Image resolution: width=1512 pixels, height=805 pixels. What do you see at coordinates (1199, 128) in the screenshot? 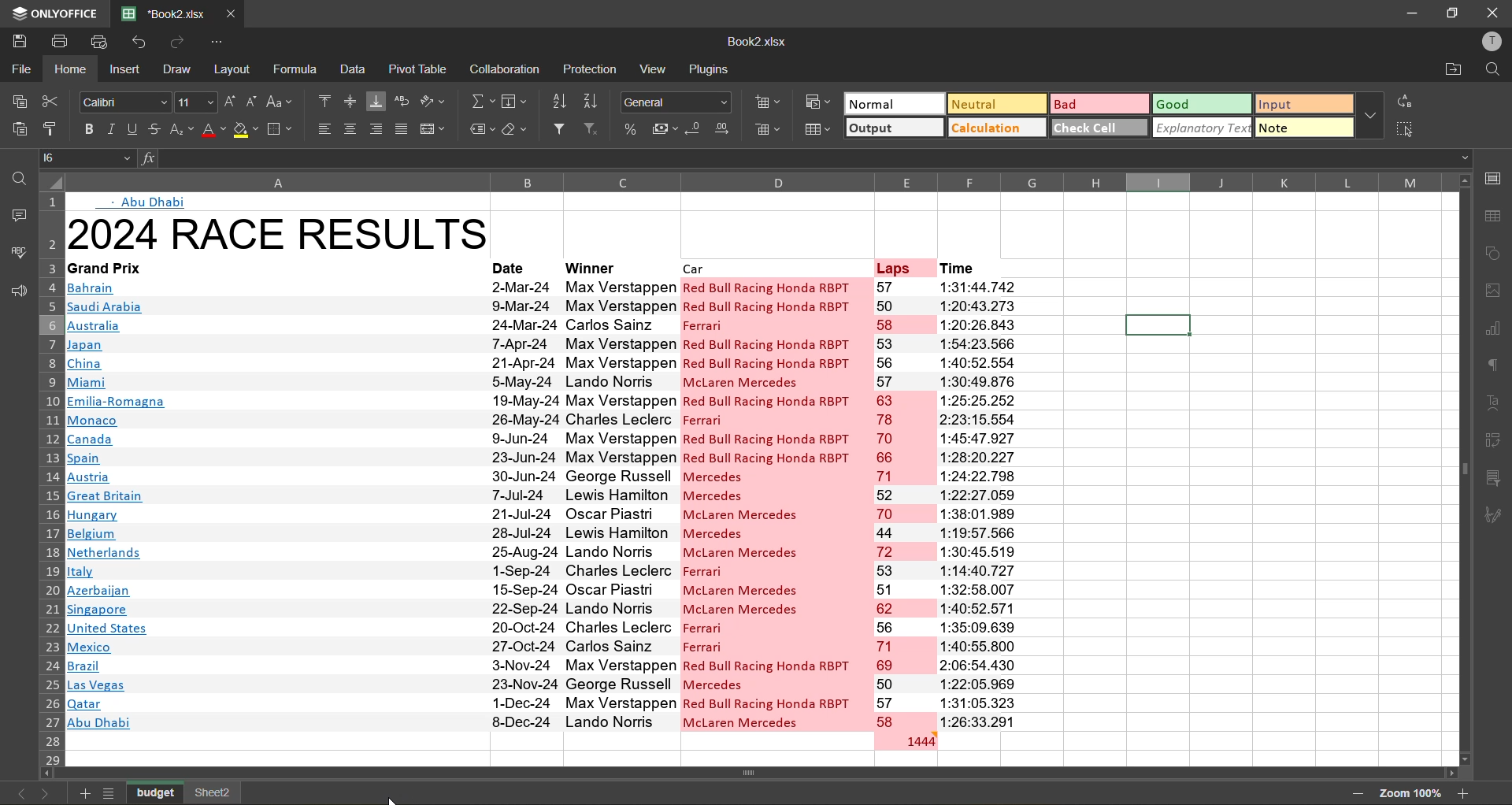
I see `explanatory text` at bounding box center [1199, 128].